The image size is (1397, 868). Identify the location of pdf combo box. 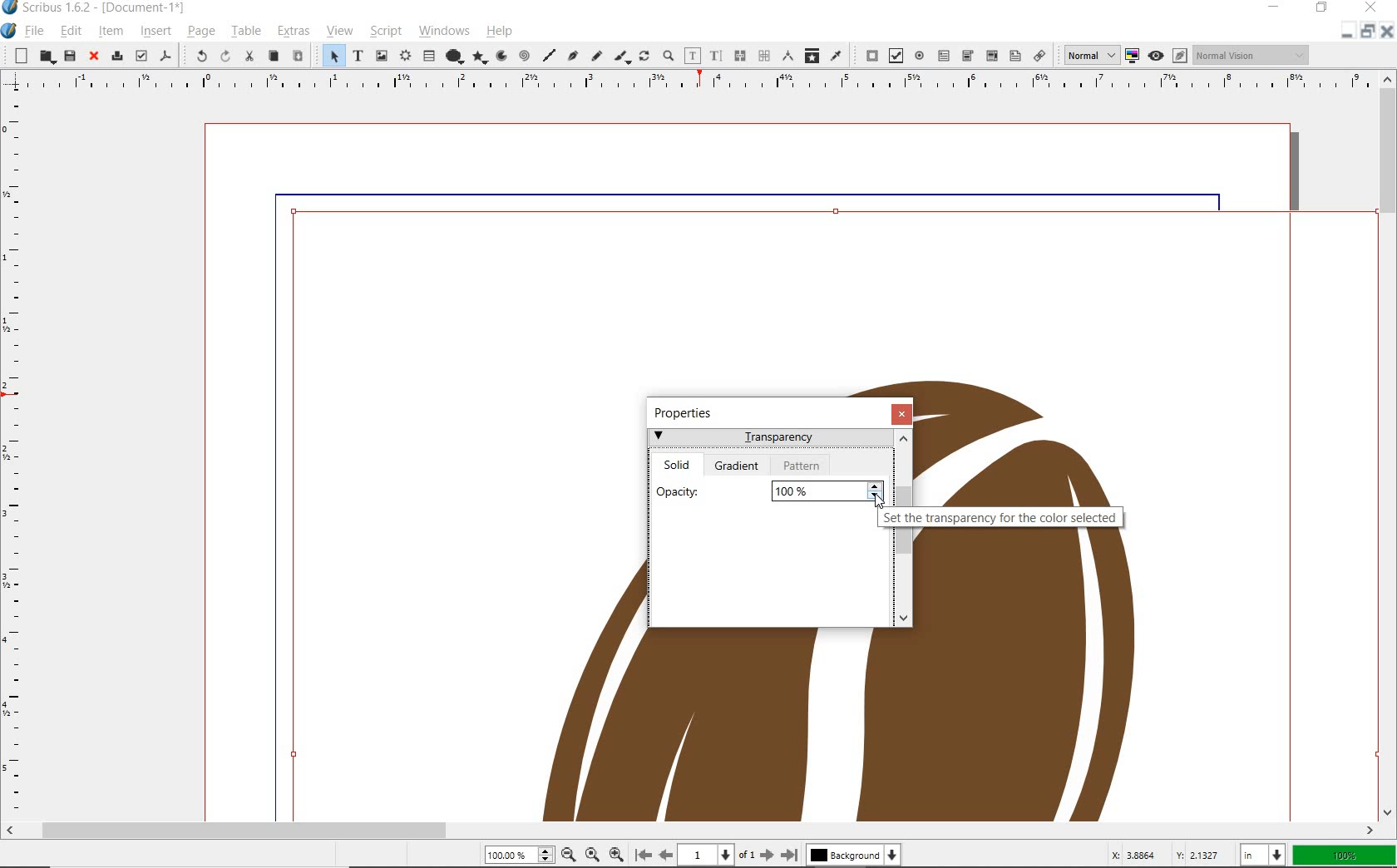
(990, 55).